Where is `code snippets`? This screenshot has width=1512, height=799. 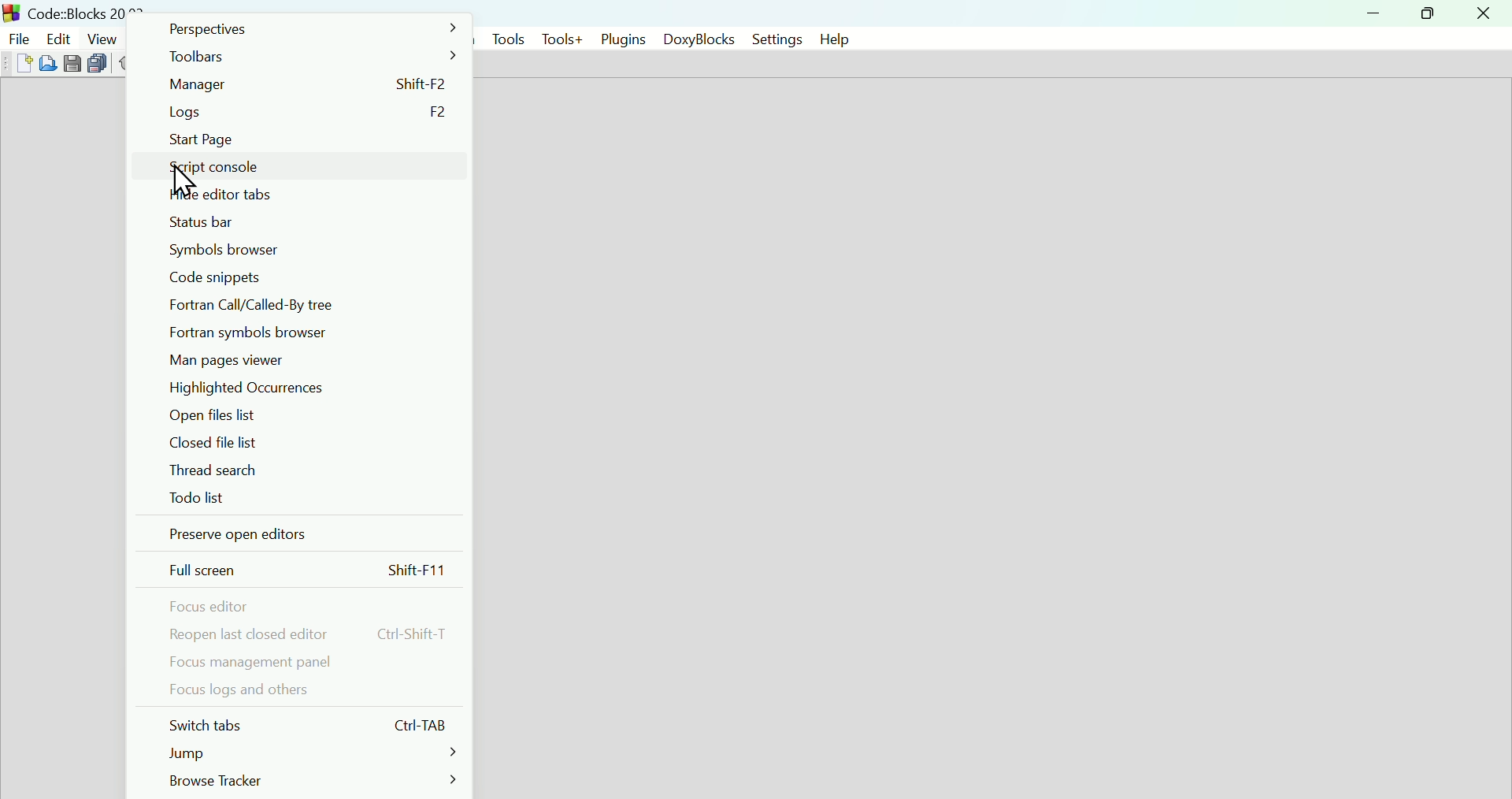
code snippets is located at coordinates (302, 278).